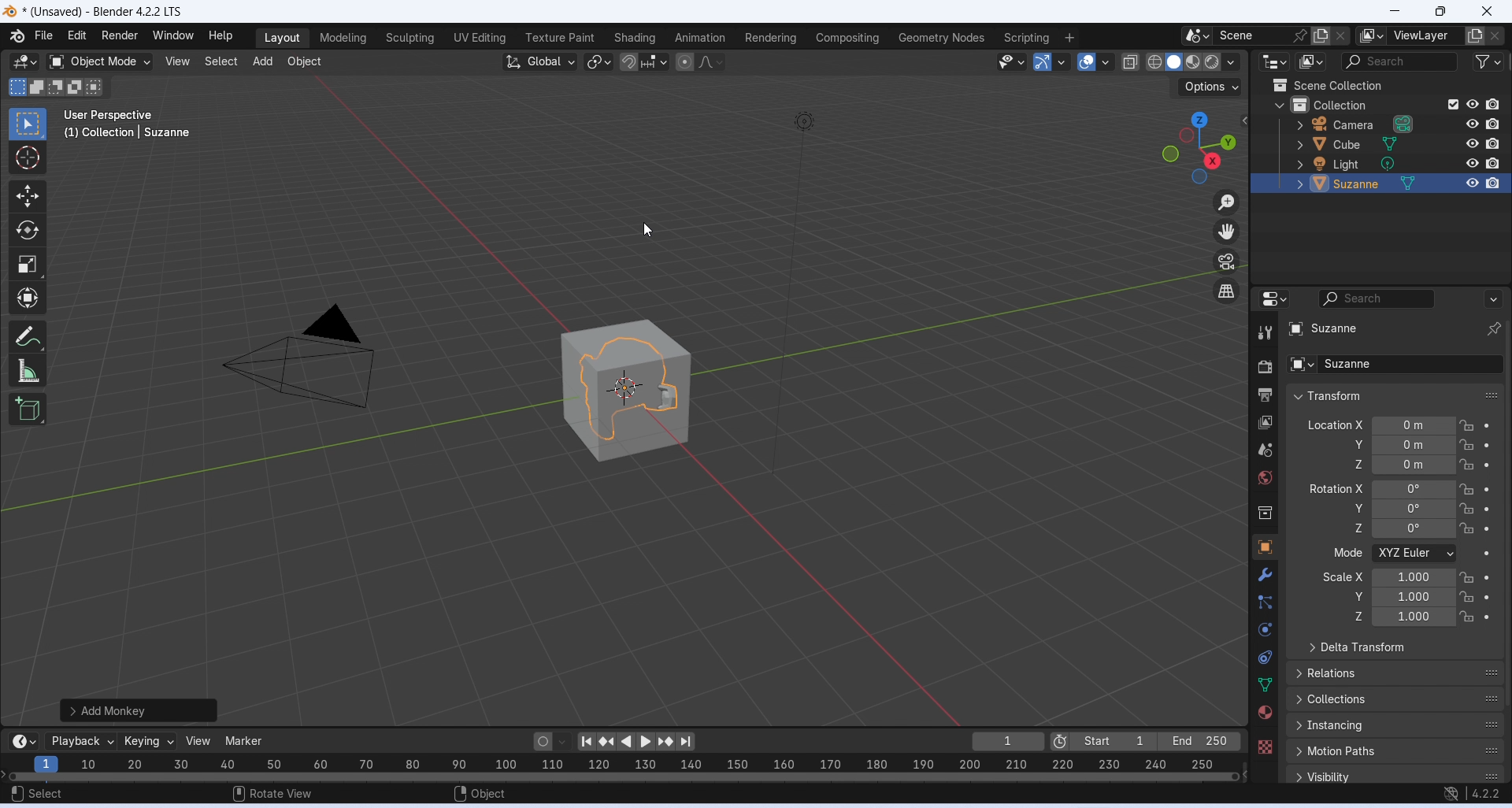  I want to click on Modeling, so click(343, 38).